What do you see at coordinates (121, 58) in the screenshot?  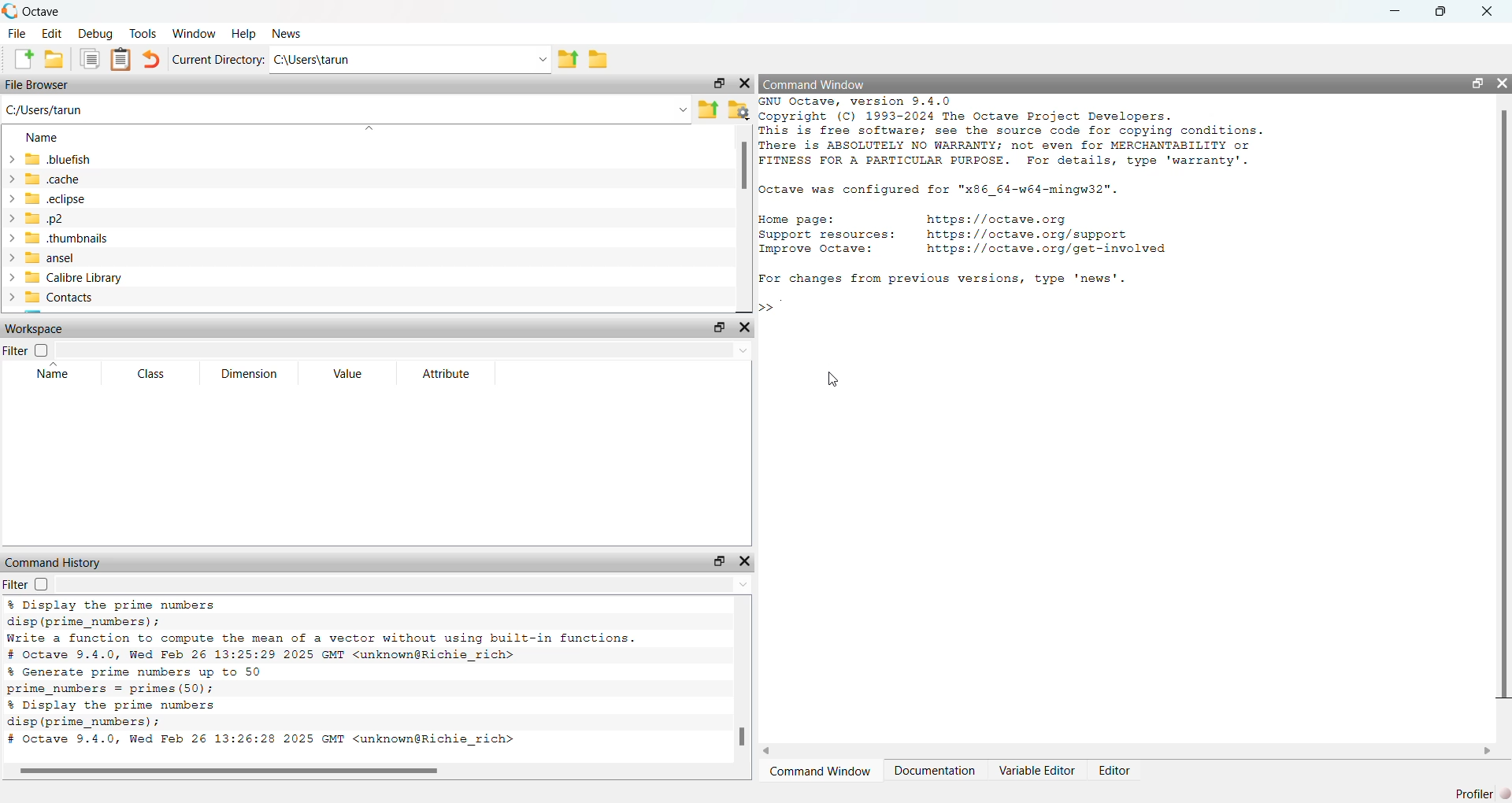 I see `clip board` at bounding box center [121, 58].